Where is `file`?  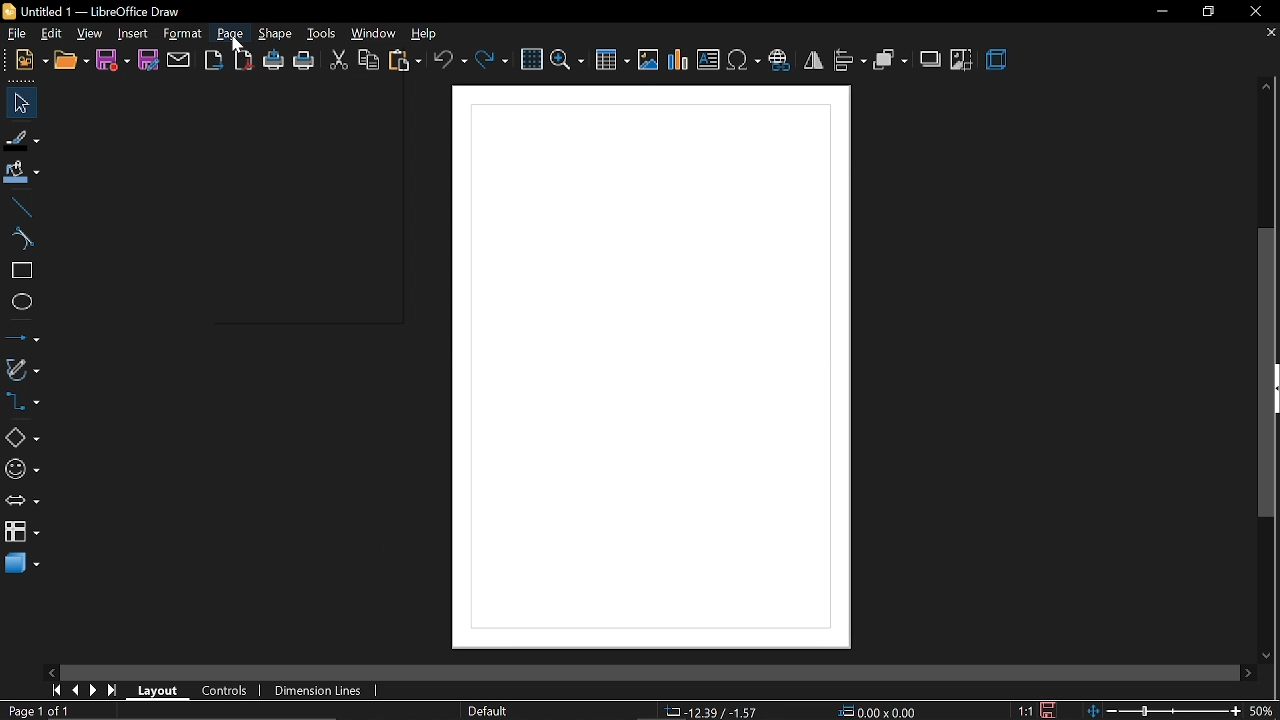 file is located at coordinates (18, 35).